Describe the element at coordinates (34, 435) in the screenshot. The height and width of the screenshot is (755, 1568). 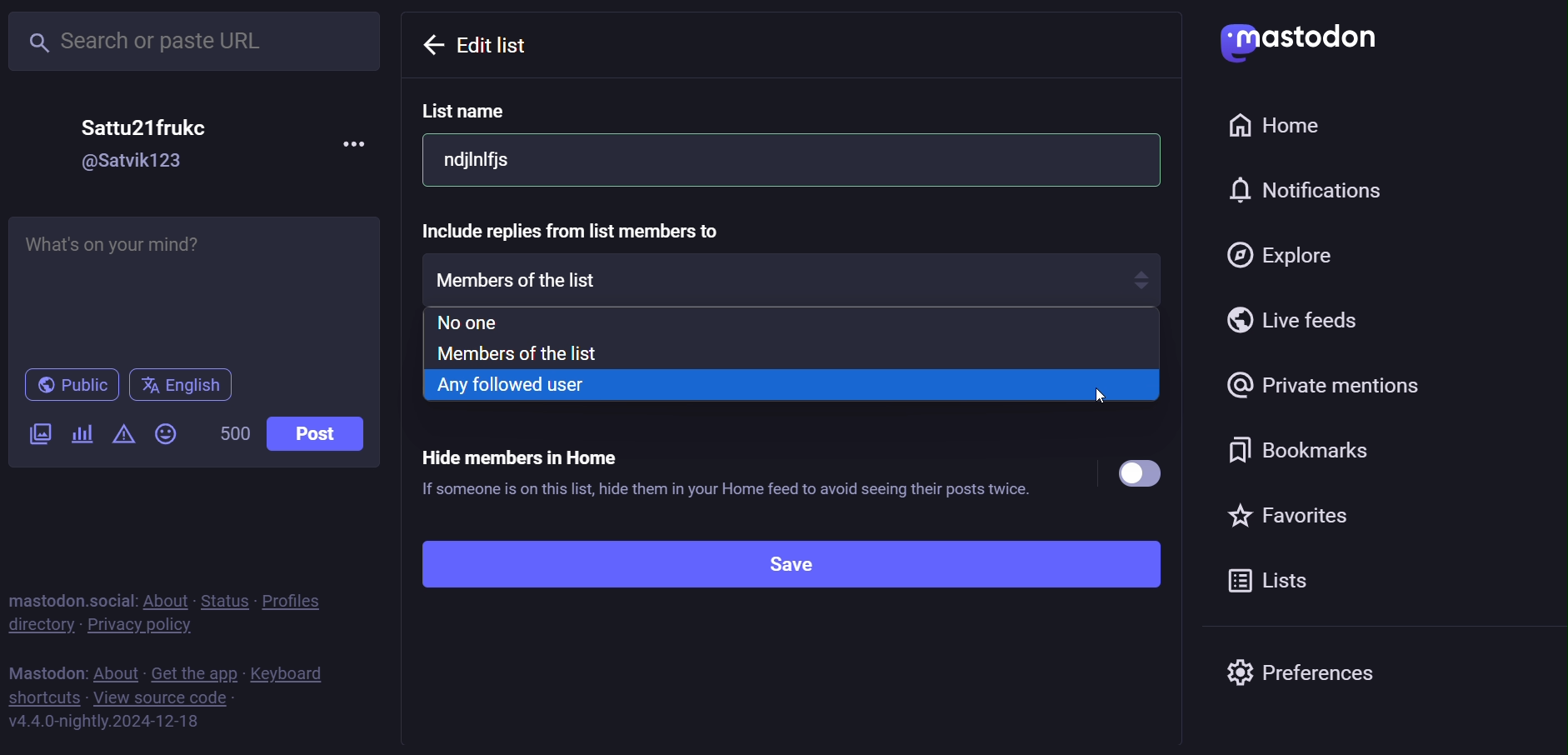
I see `image/video` at that location.